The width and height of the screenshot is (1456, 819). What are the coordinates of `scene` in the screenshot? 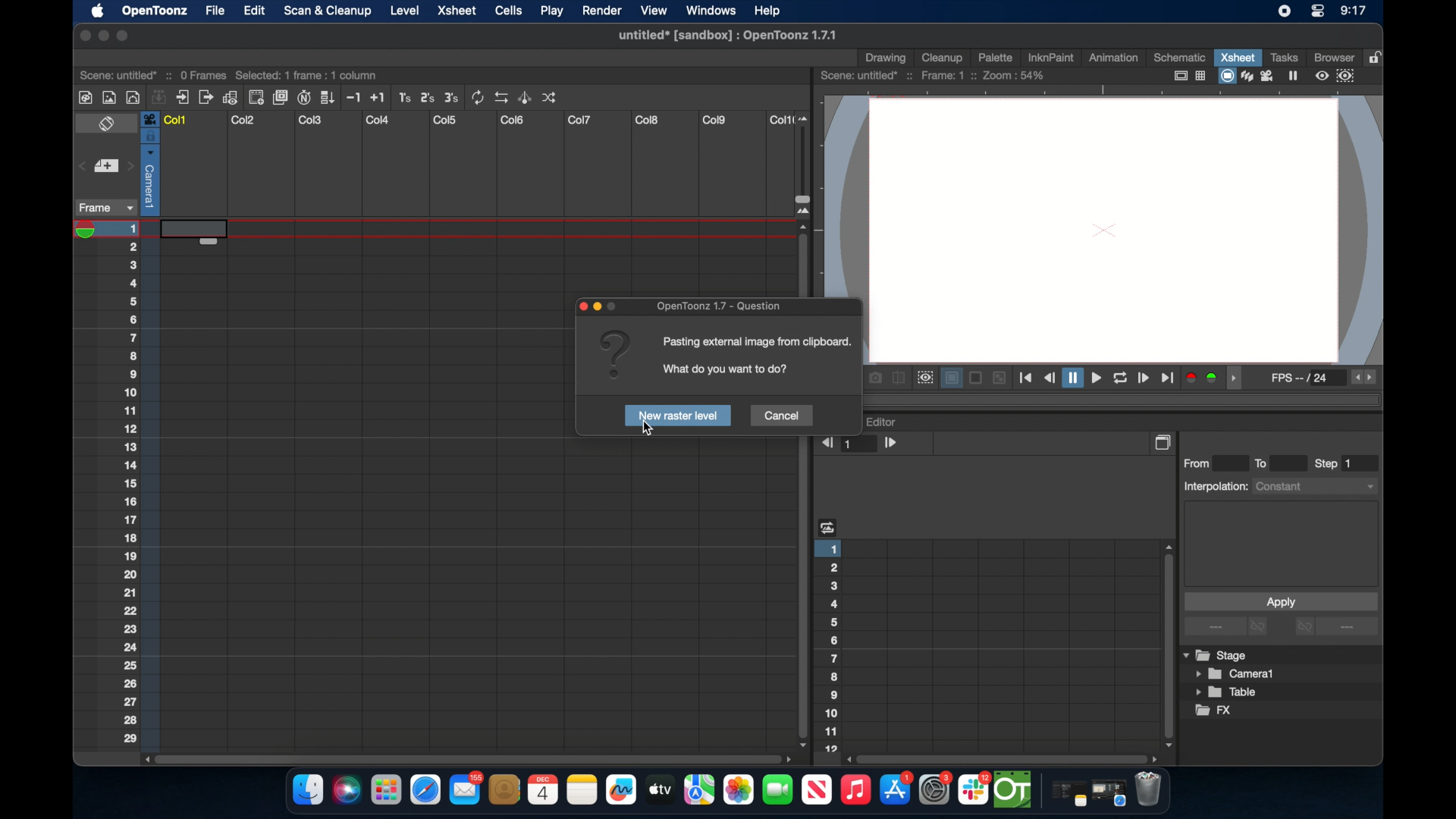 It's located at (934, 76).